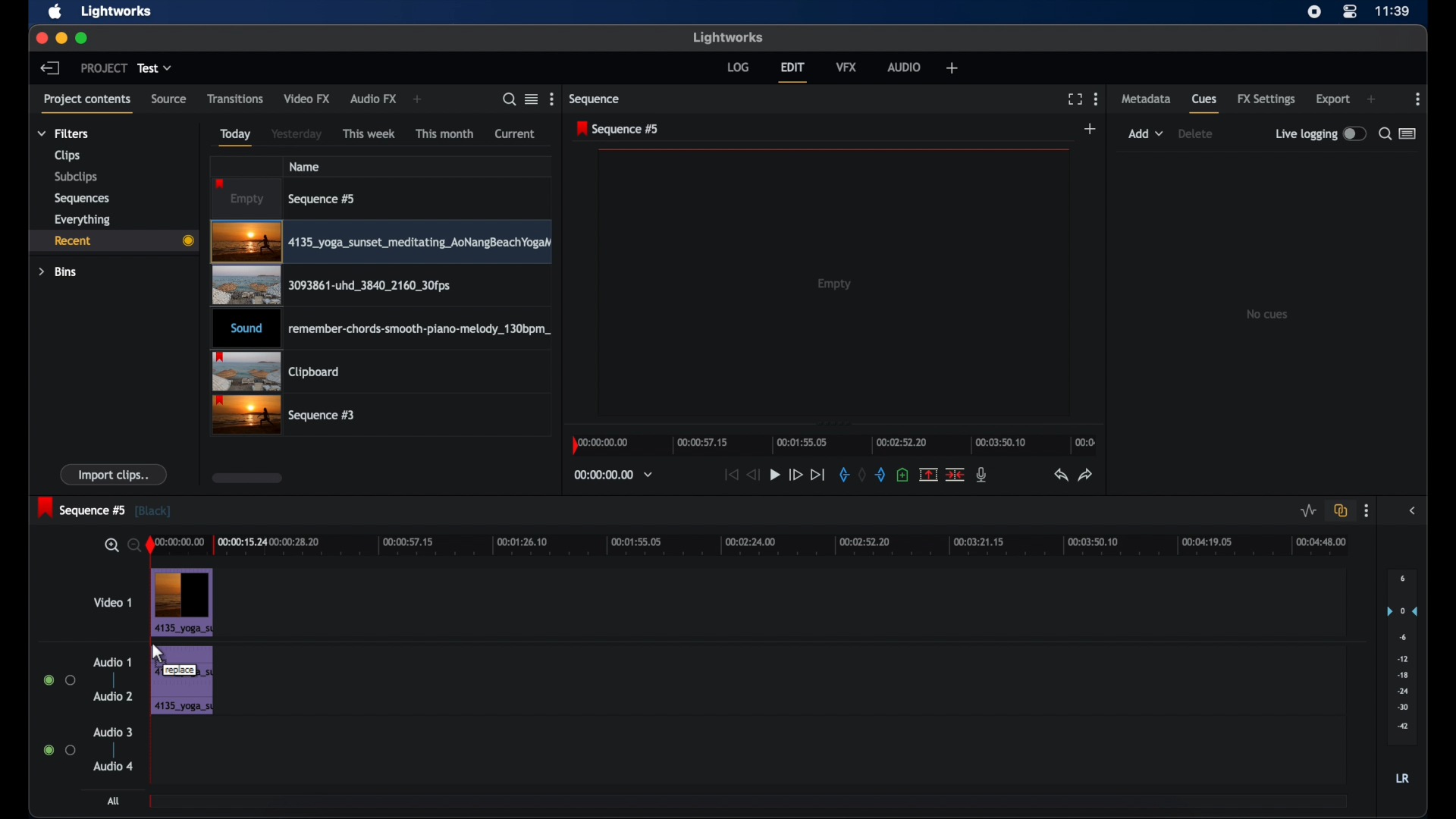 The height and width of the screenshot is (819, 1456). I want to click on source, so click(169, 99).